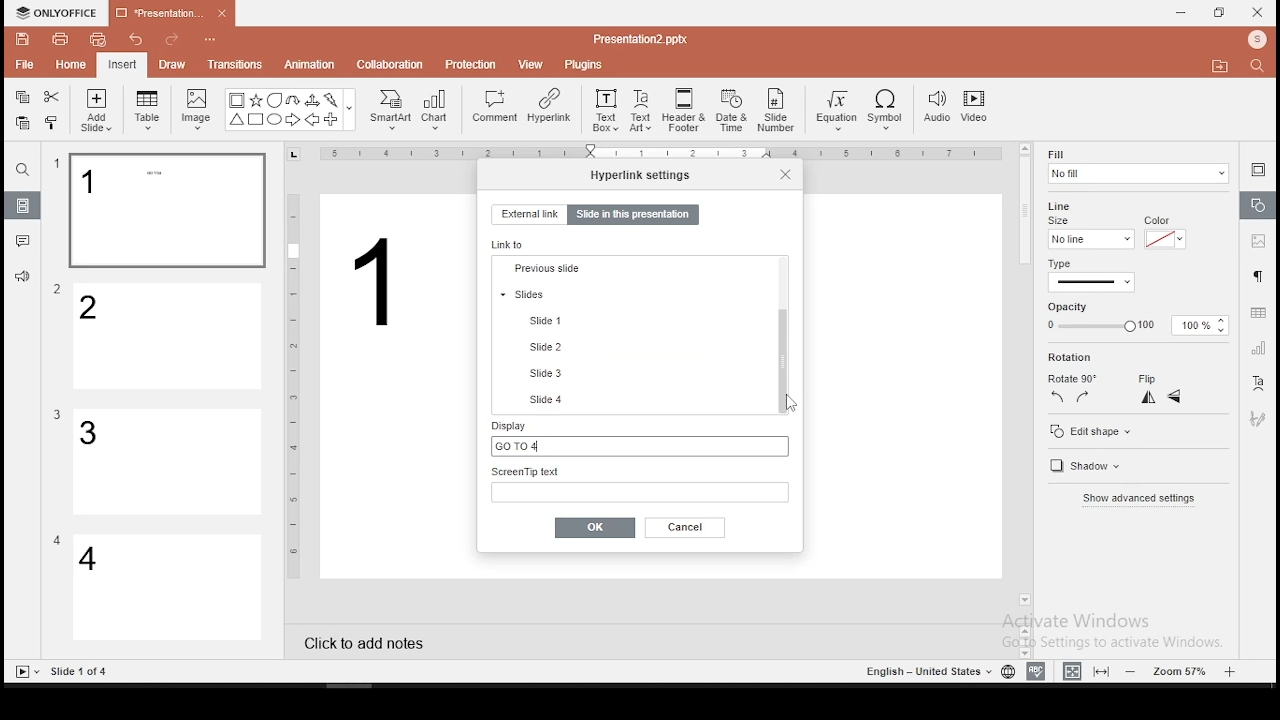  I want to click on redo, so click(172, 42).